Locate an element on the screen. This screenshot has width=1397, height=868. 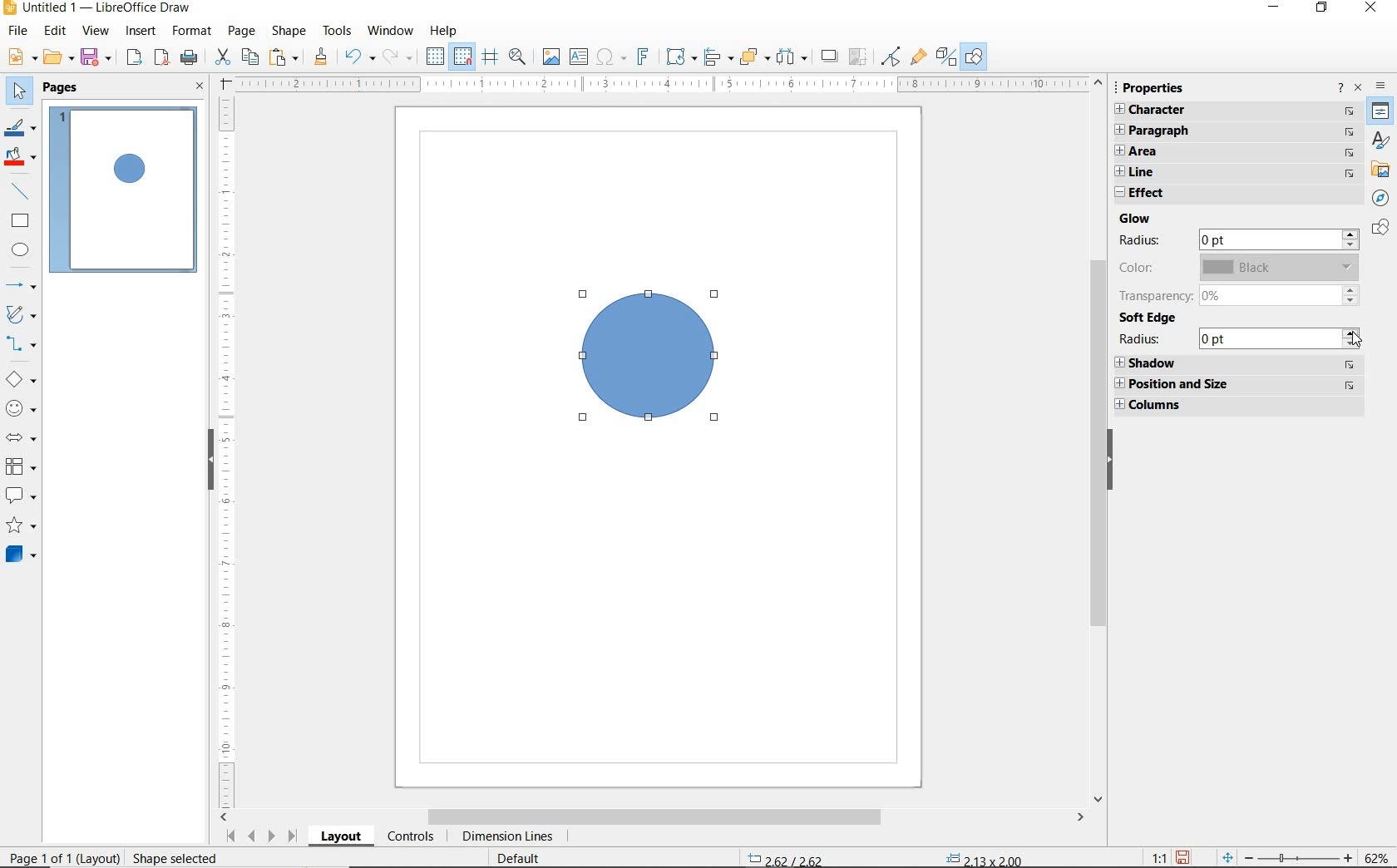
CHARACTER is located at coordinates (1225, 111).